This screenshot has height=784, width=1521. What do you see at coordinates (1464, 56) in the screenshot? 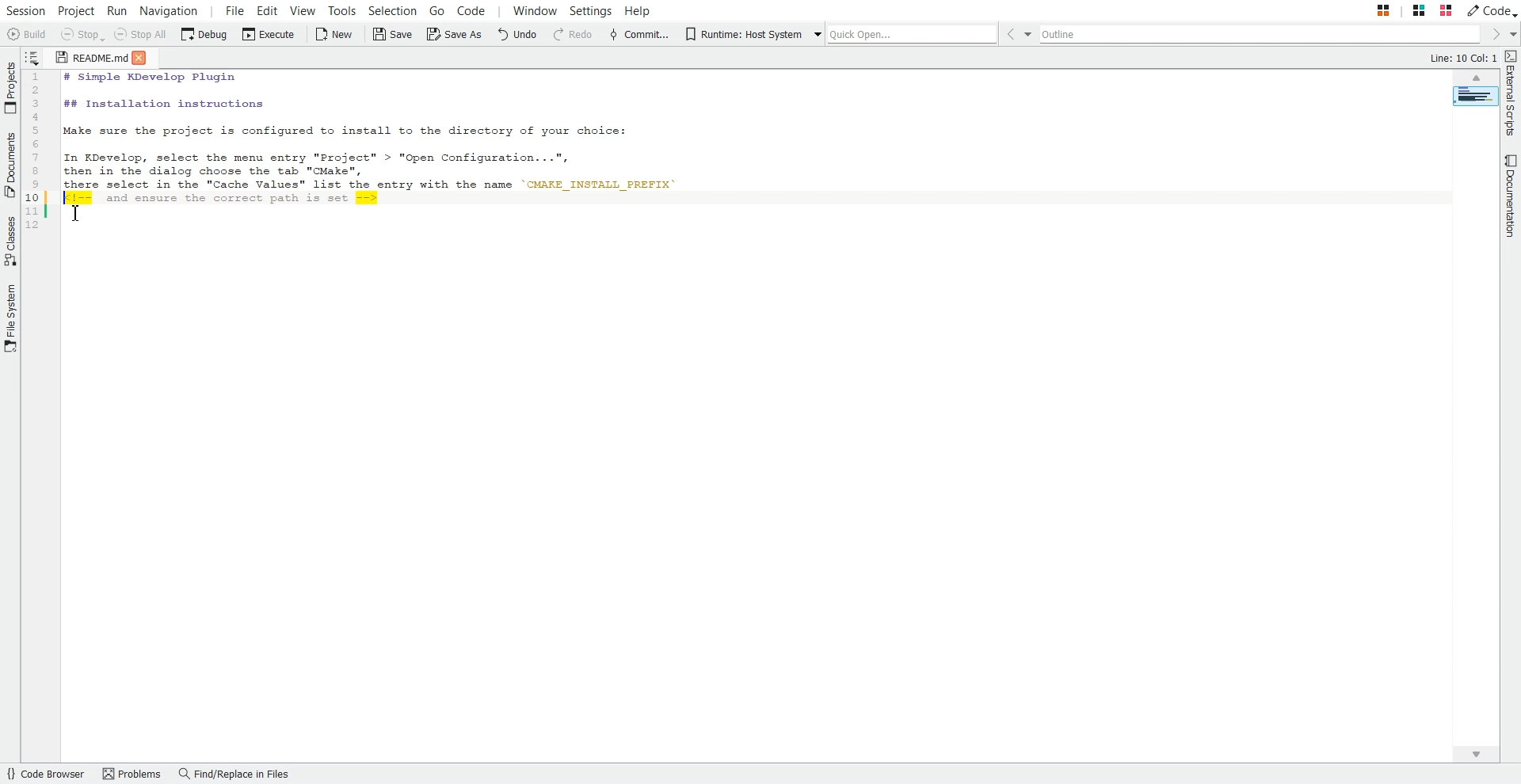
I see `Line: 10 Col: 2` at bounding box center [1464, 56].